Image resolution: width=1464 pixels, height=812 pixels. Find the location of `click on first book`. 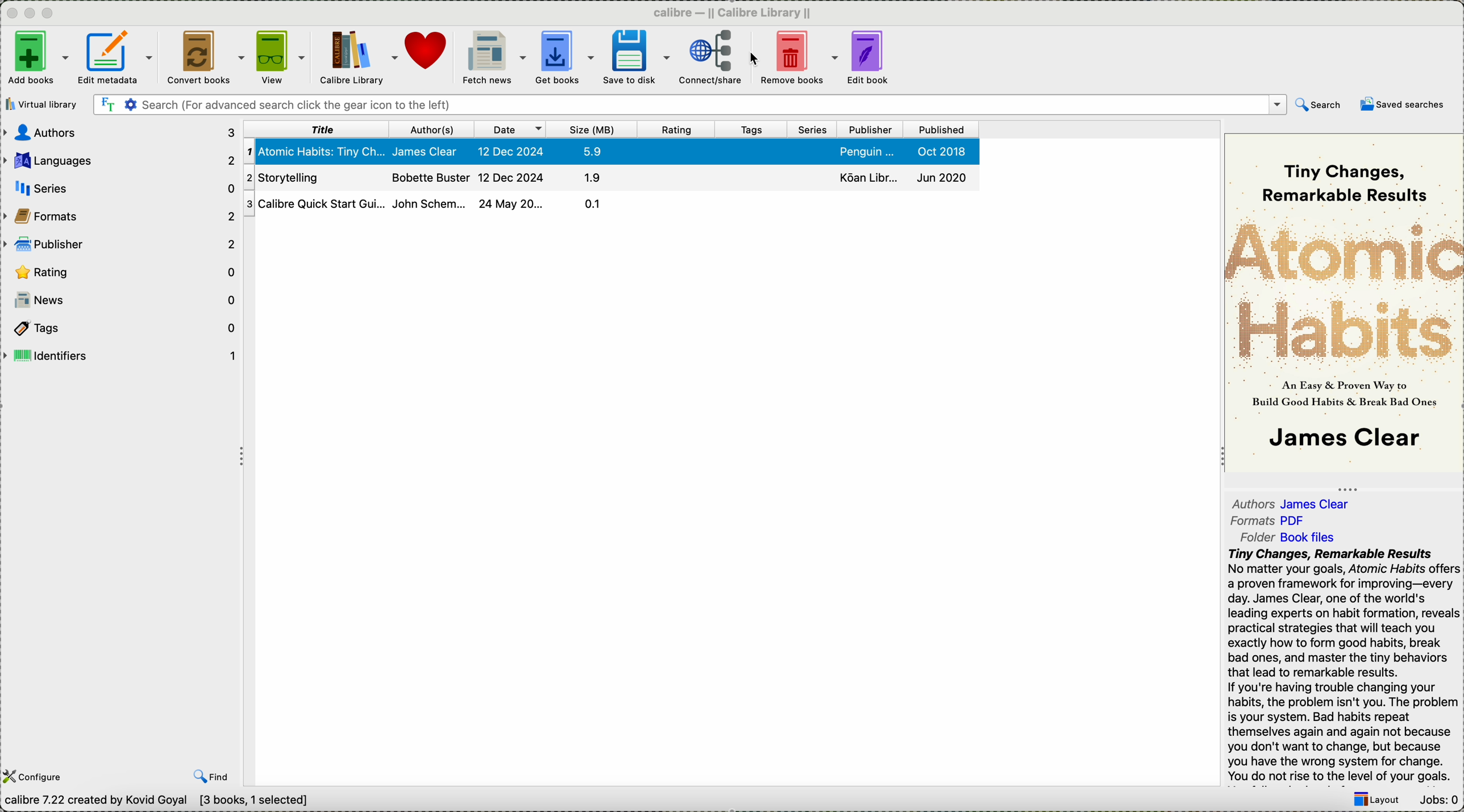

click on first book is located at coordinates (611, 151).